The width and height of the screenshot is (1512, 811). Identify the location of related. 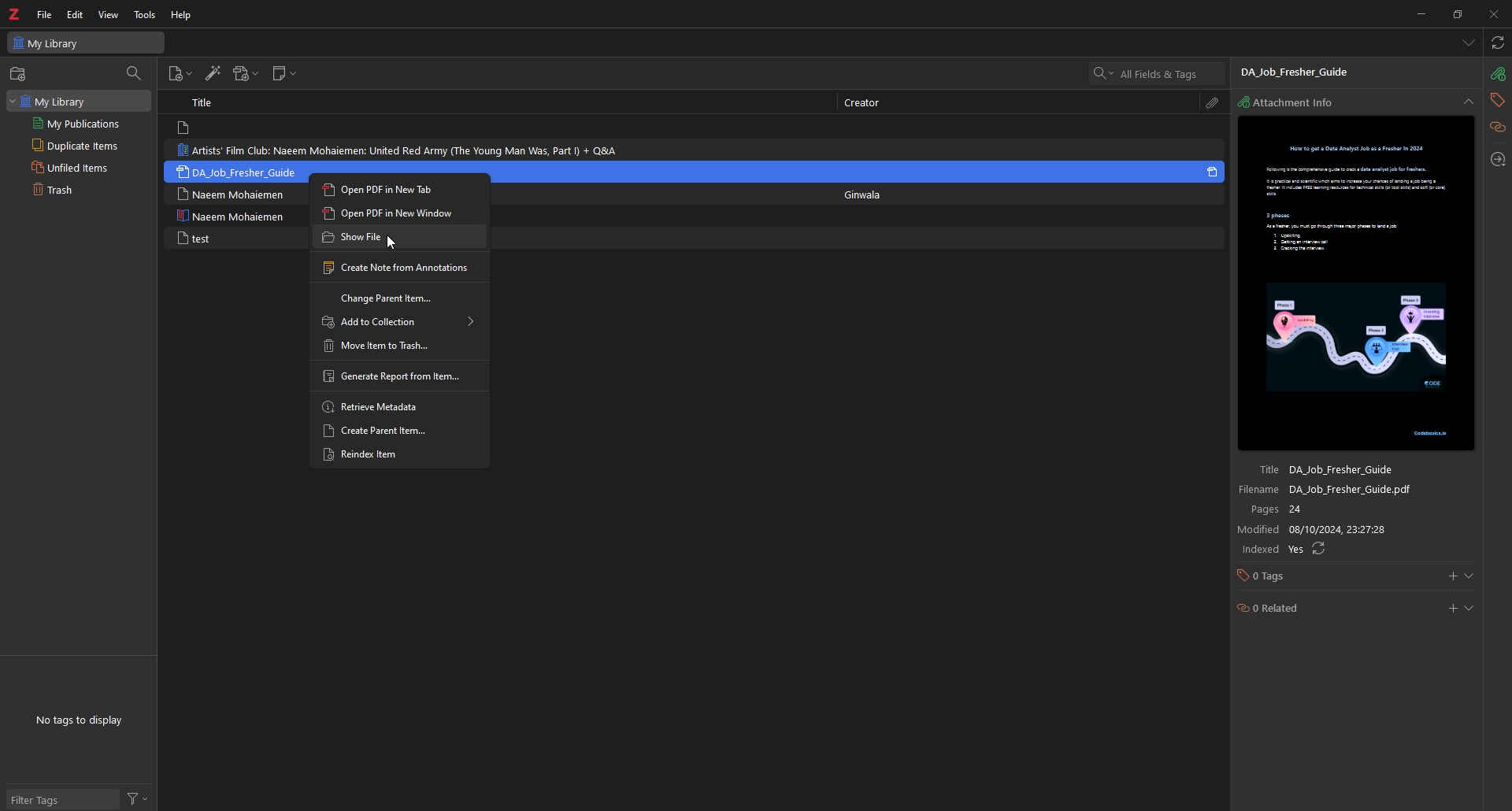
(1497, 127).